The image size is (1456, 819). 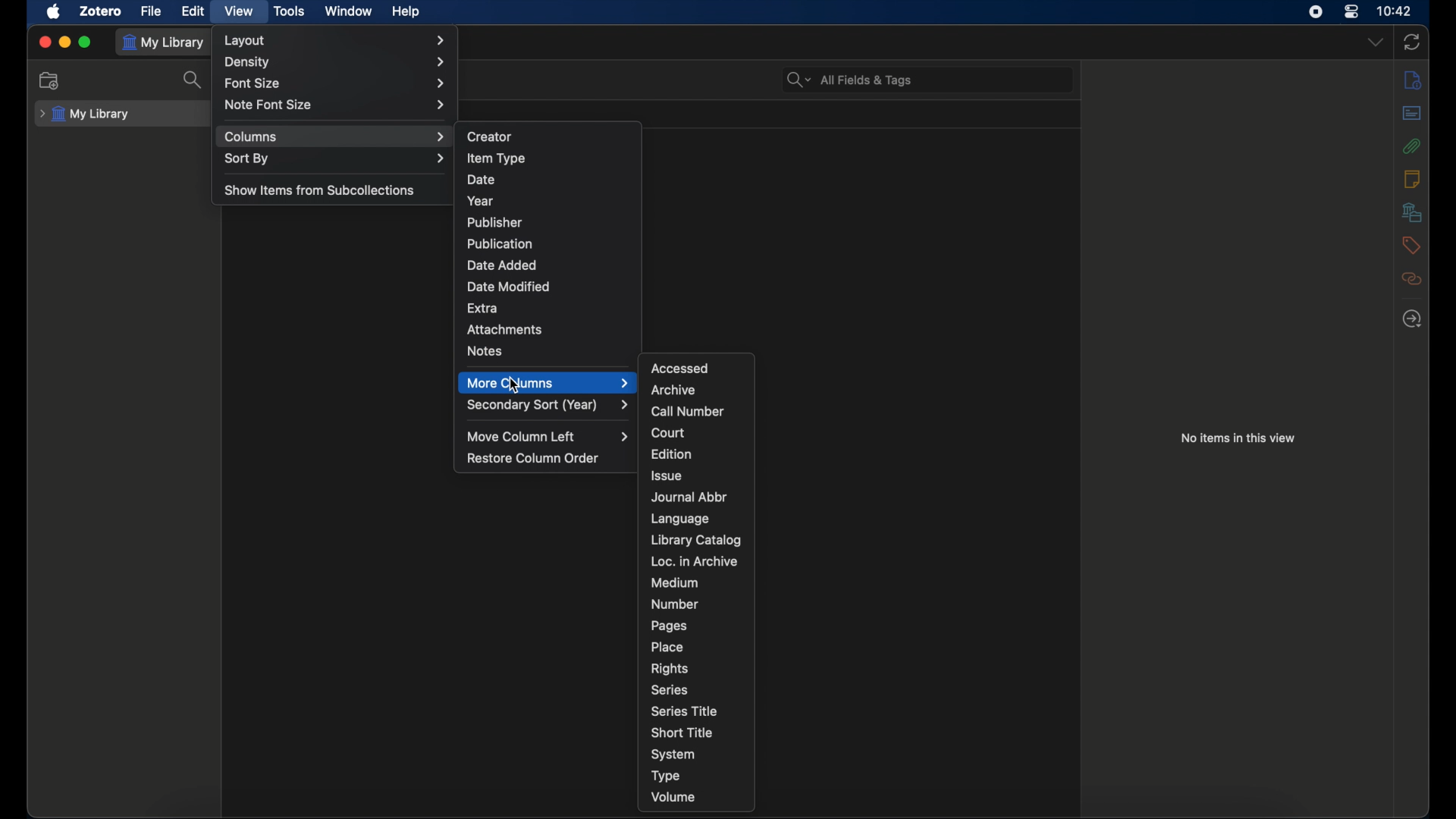 What do you see at coordinates (549, 405) in the screenshot?
I see `secondary sort` at bounding box center [549, 405].